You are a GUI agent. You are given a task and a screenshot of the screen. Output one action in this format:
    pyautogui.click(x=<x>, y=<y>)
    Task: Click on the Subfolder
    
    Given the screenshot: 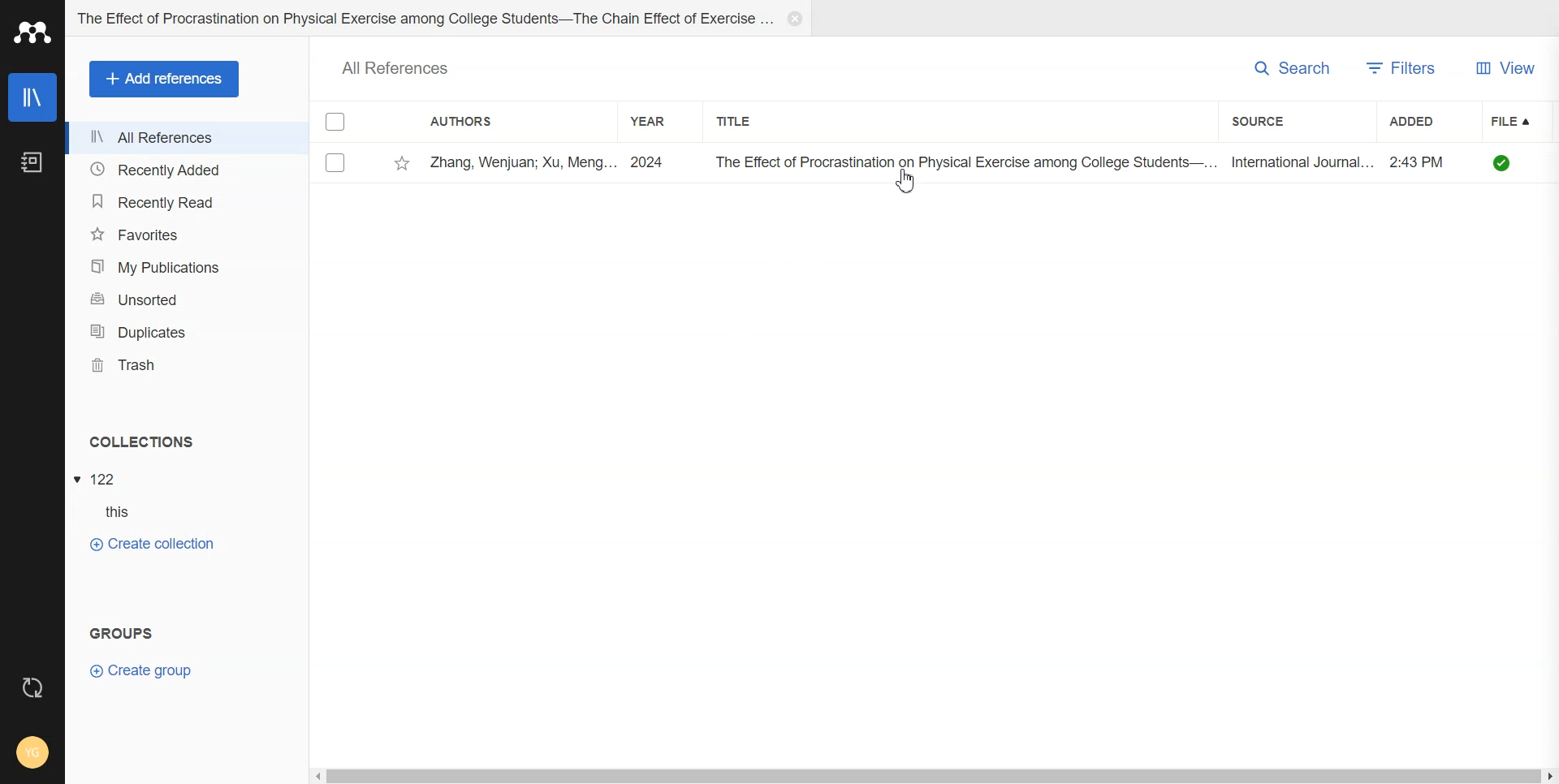 What is the action you would take?
    pyautogui.click(x=110, y=513)
    